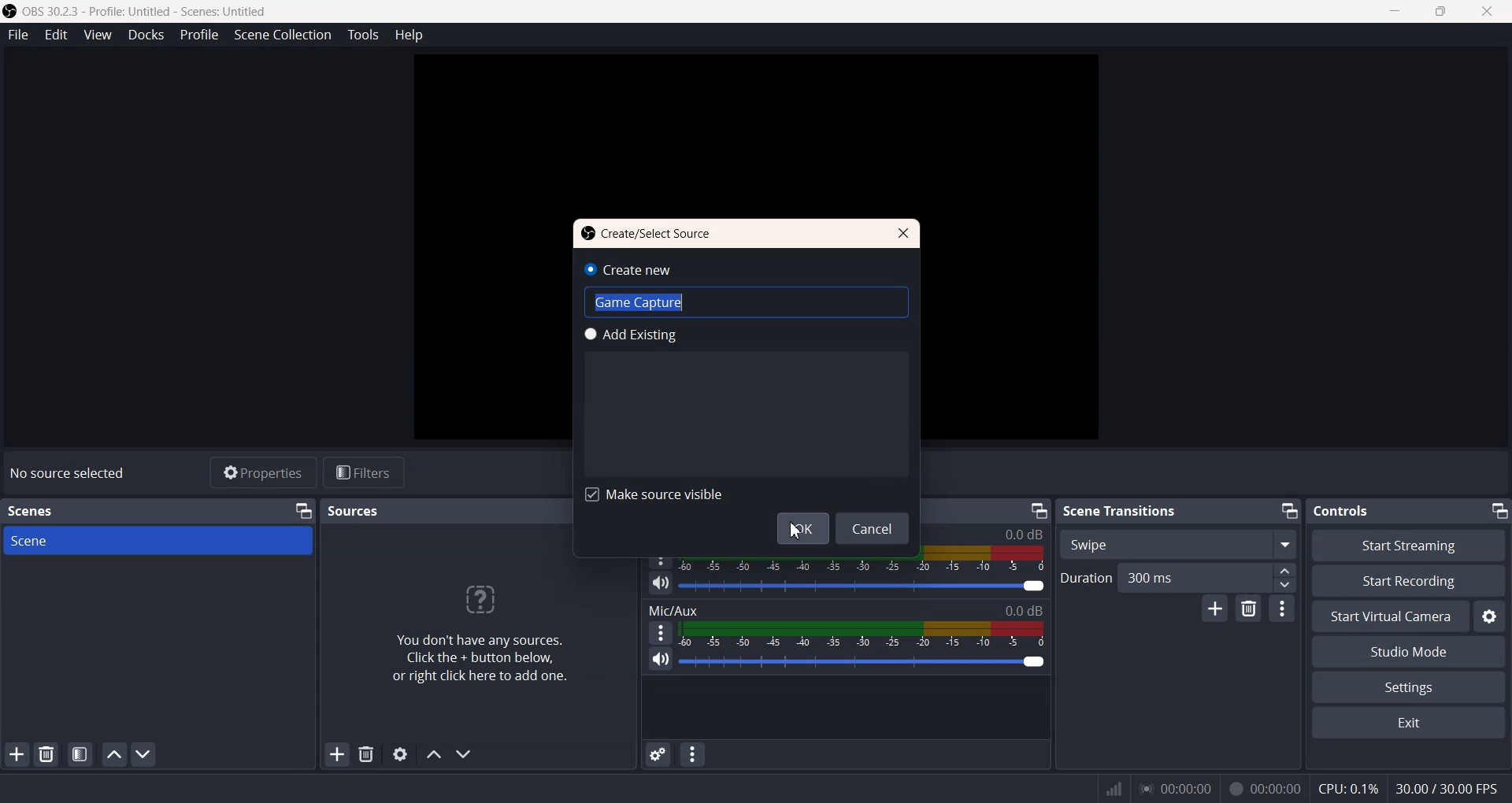 The image size is (1512, 803). I want to click on Swipe, so click(1177, 544).